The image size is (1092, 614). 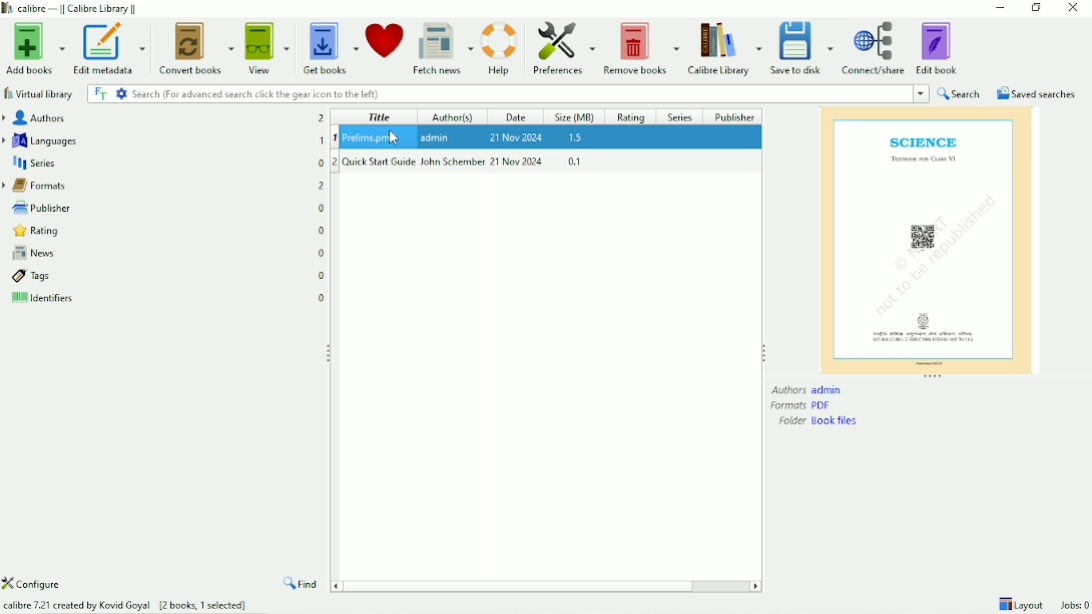 I want to click on Restore down, so click(x=1036, y=8).